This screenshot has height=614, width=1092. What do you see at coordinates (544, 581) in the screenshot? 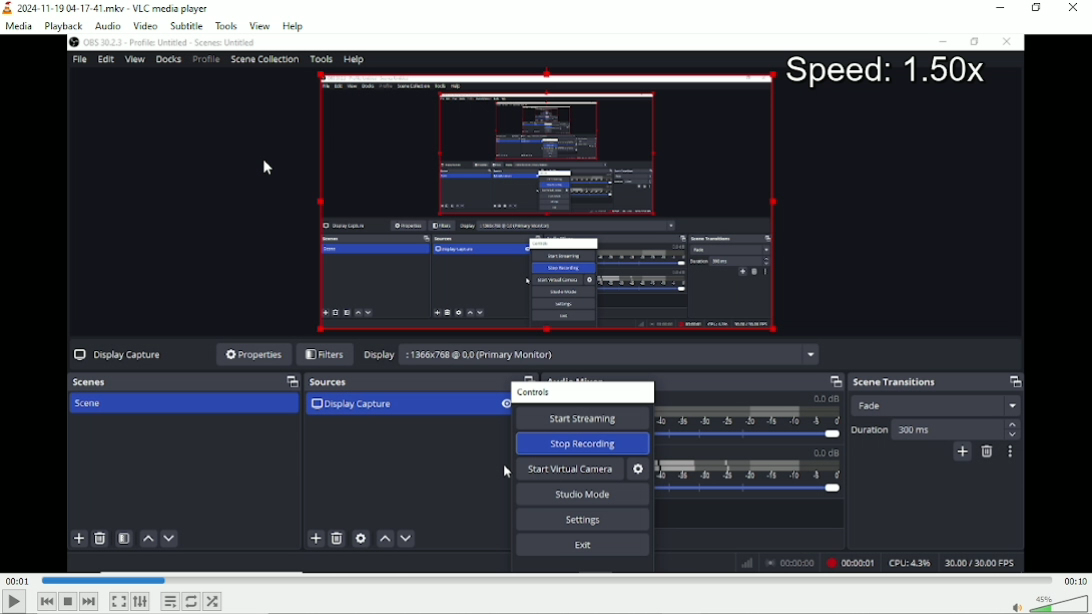
I see `Play duration` at bounding box center [544, 581].